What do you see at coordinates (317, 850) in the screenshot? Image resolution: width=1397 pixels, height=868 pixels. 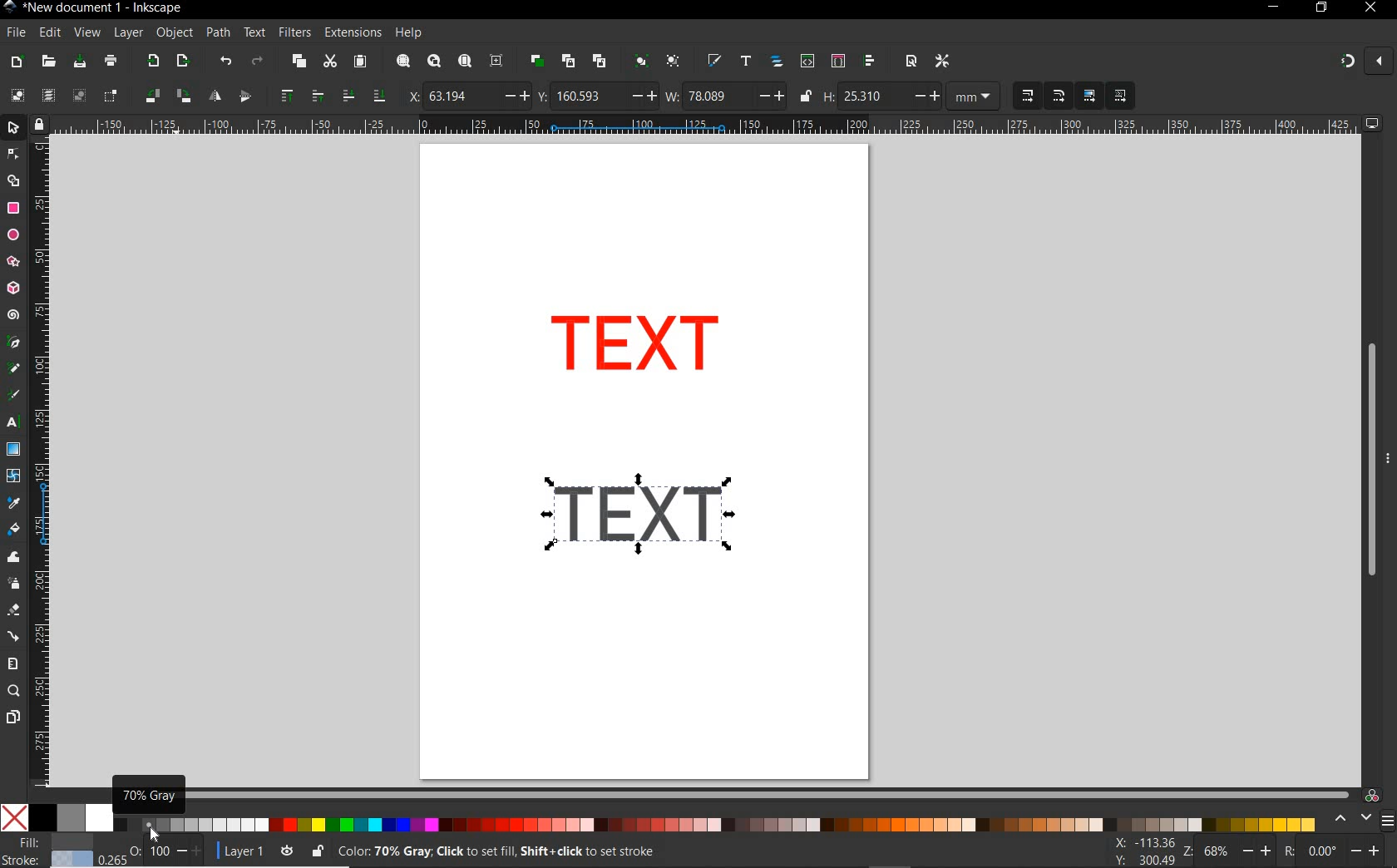 I see `lock/unlock current layer` at bounding box center [317, 850].